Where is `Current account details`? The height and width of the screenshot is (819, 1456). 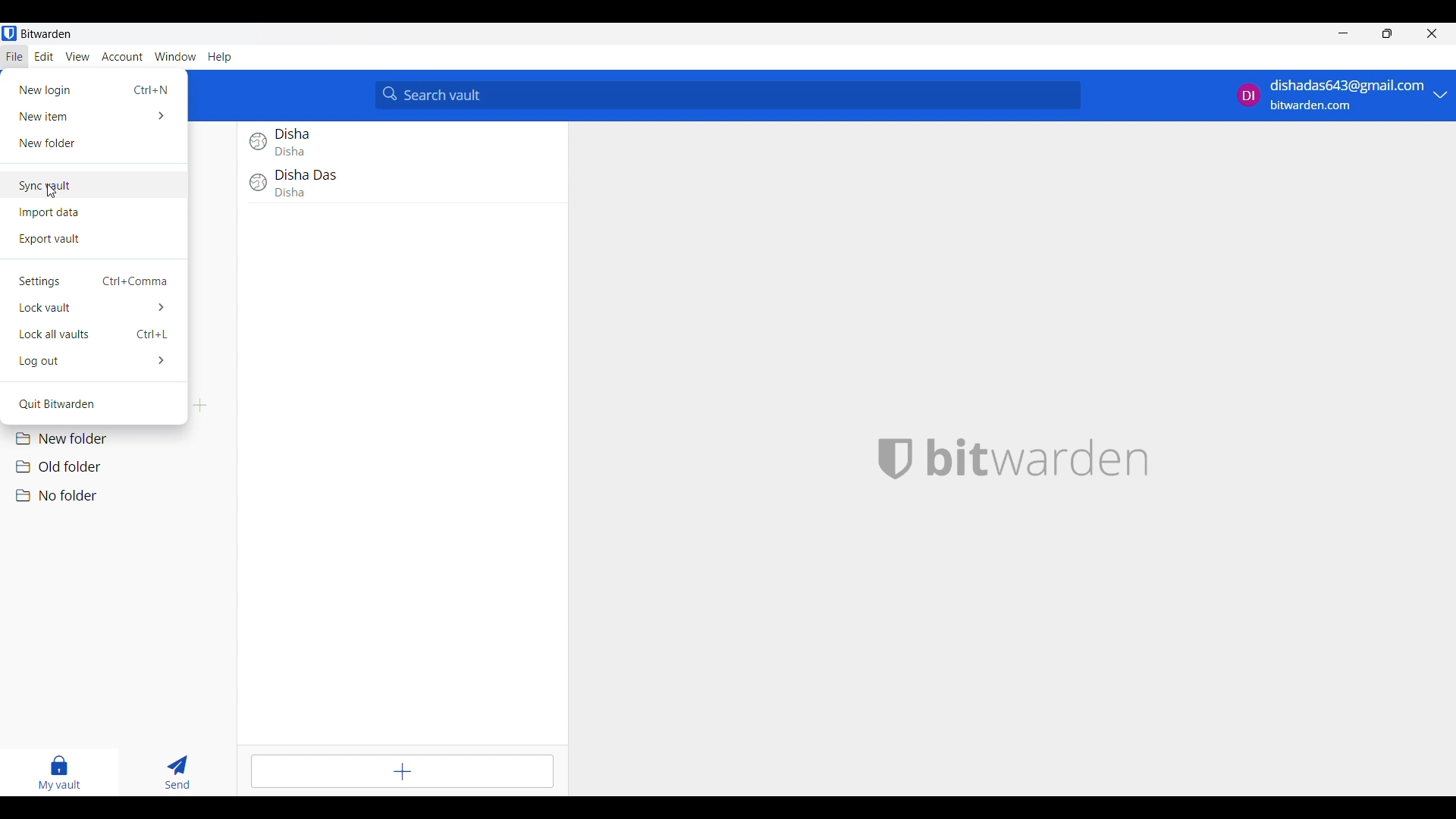
Current account details is located at coordinates (1332, 96).